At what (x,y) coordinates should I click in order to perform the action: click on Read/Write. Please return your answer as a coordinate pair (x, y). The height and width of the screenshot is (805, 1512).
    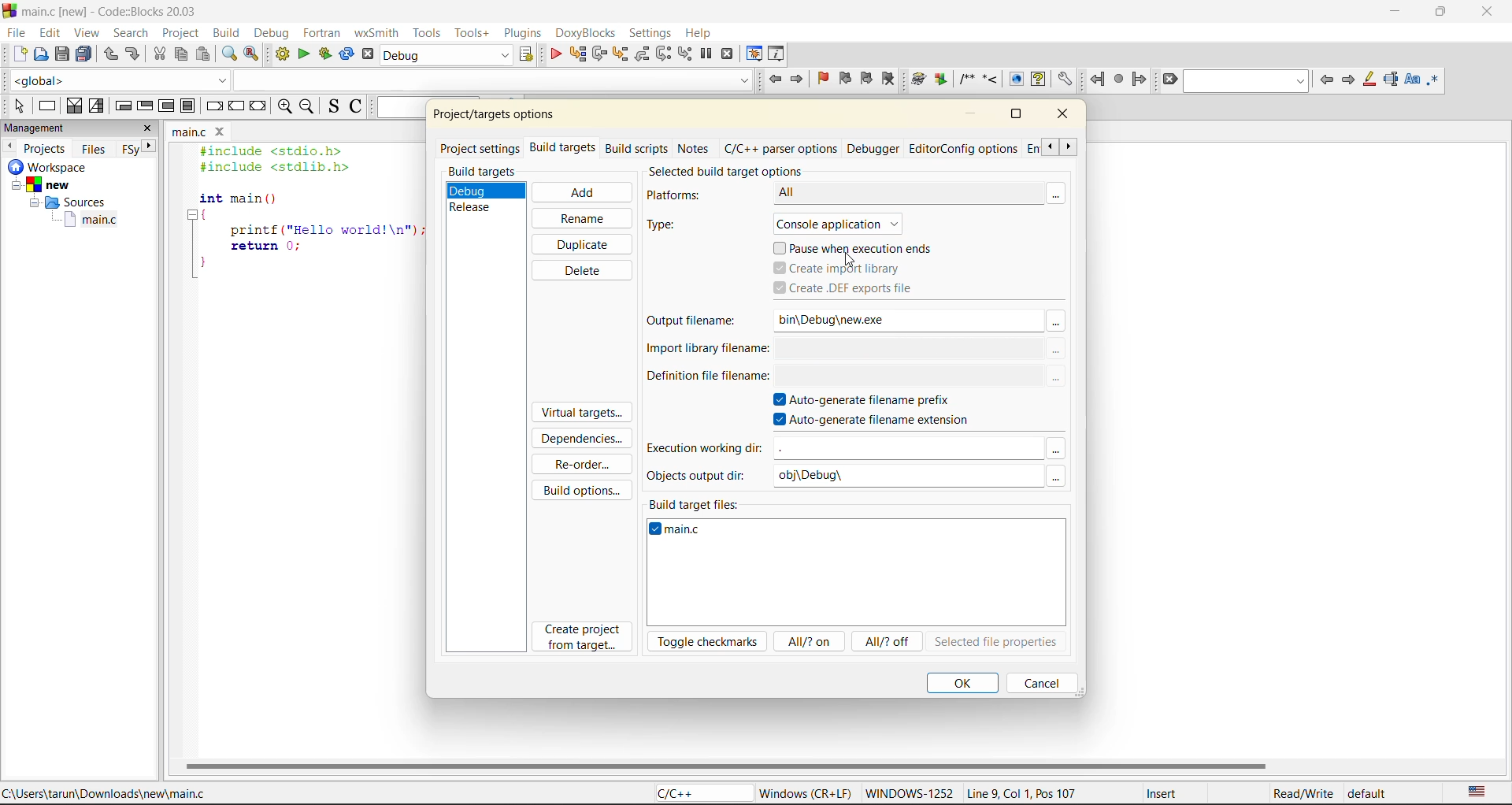
    Looking at the image, I should click on (1302, 794).